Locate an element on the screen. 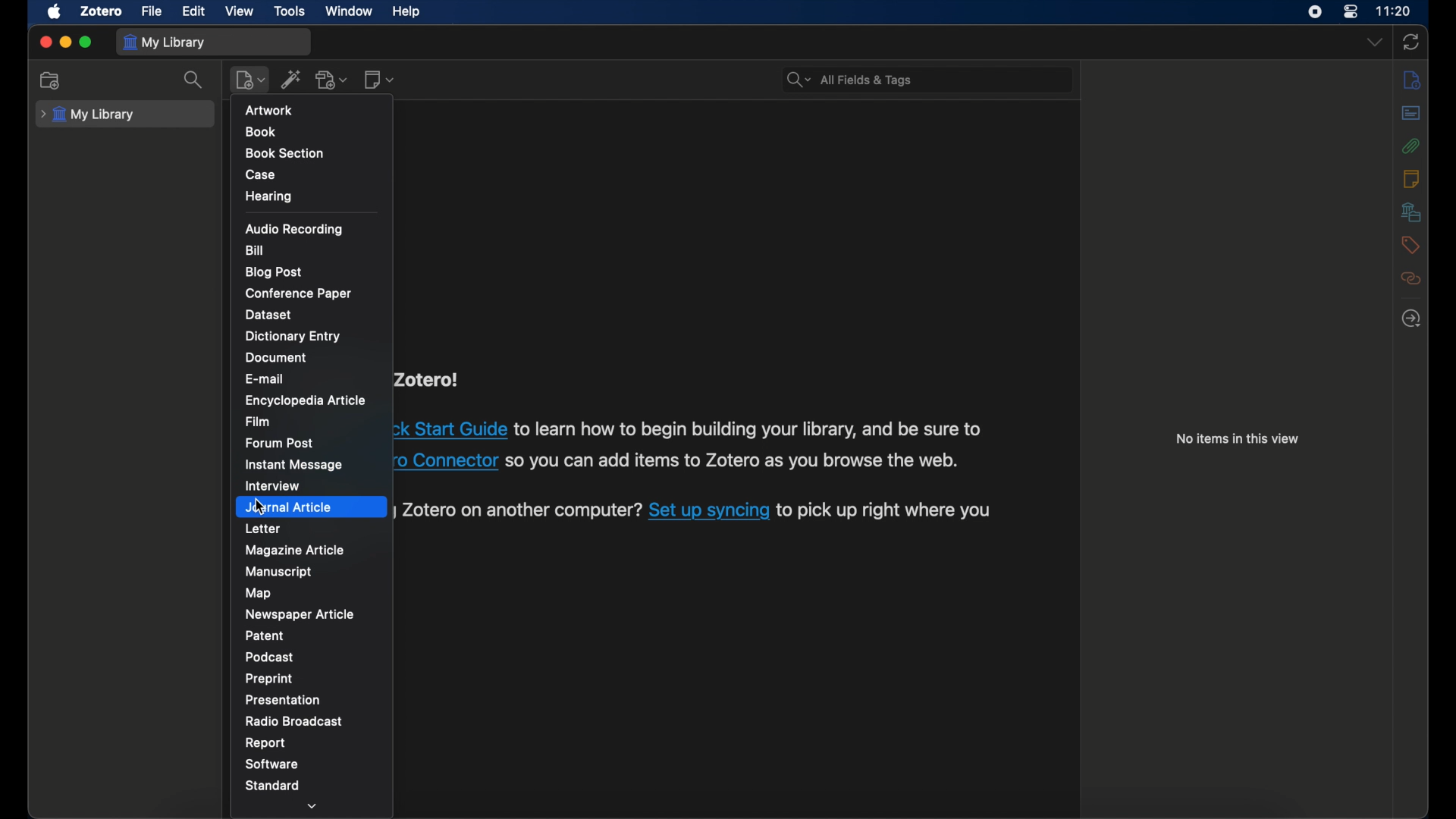 The image size is (1456, 819). my library is located at coordinates (87, 115).